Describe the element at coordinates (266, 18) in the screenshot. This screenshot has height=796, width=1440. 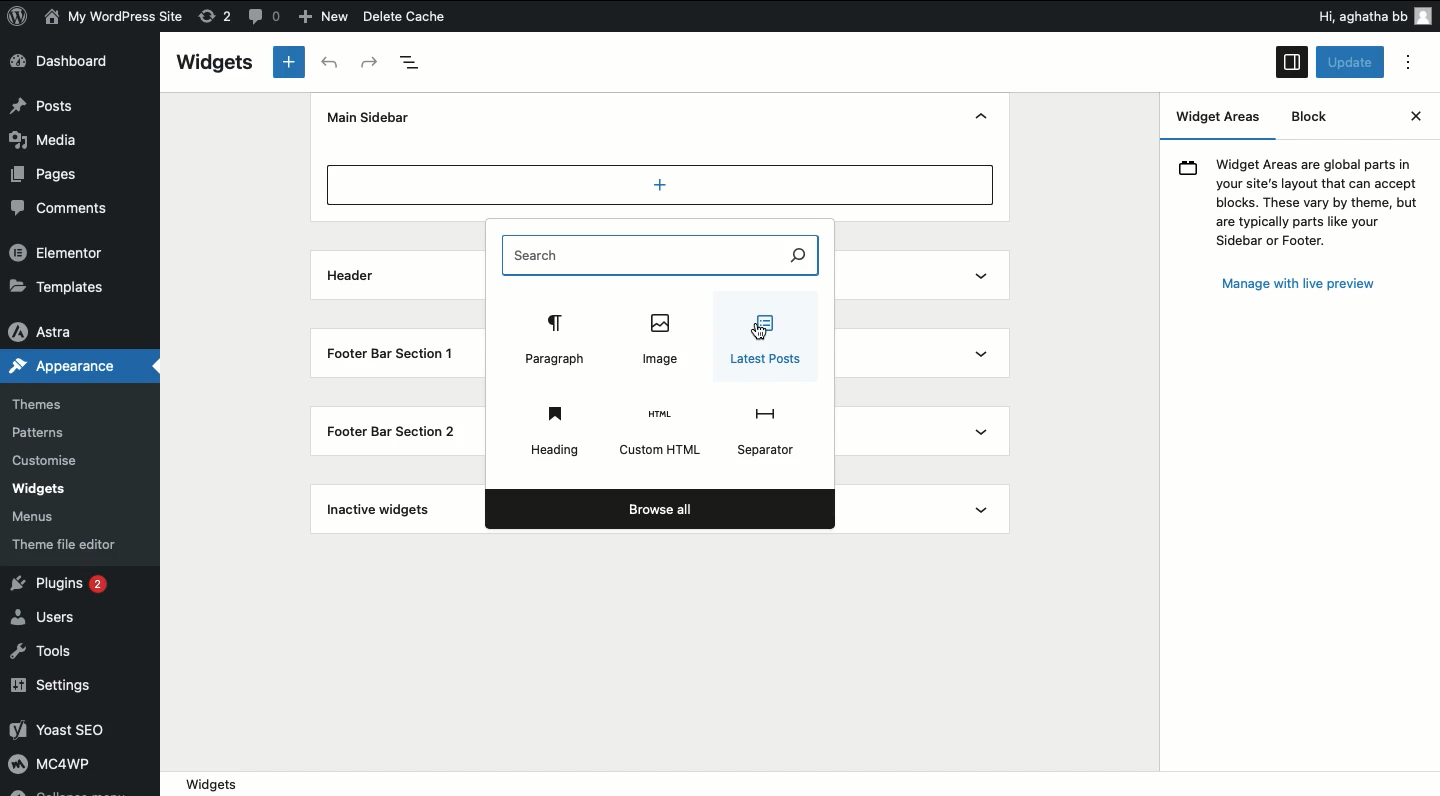
I see `comments` at that location.